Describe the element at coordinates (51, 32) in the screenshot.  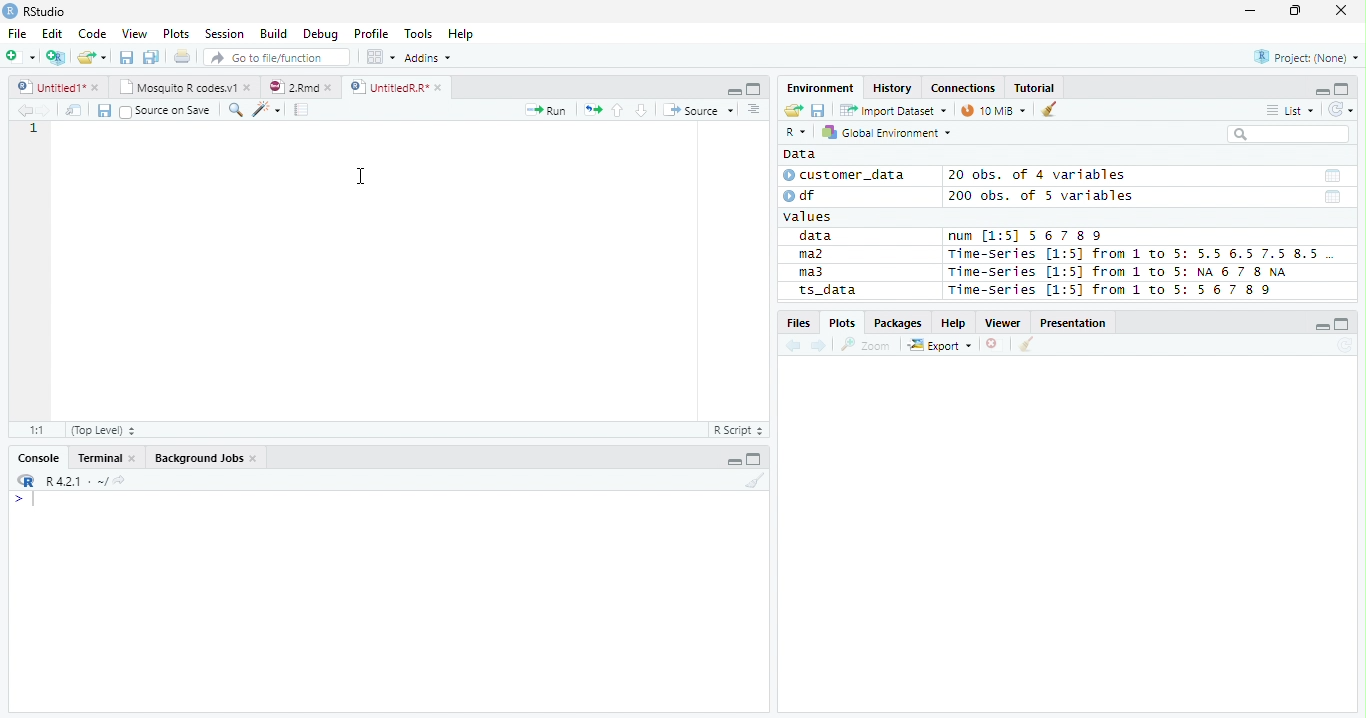
I see `Edit` at that location.